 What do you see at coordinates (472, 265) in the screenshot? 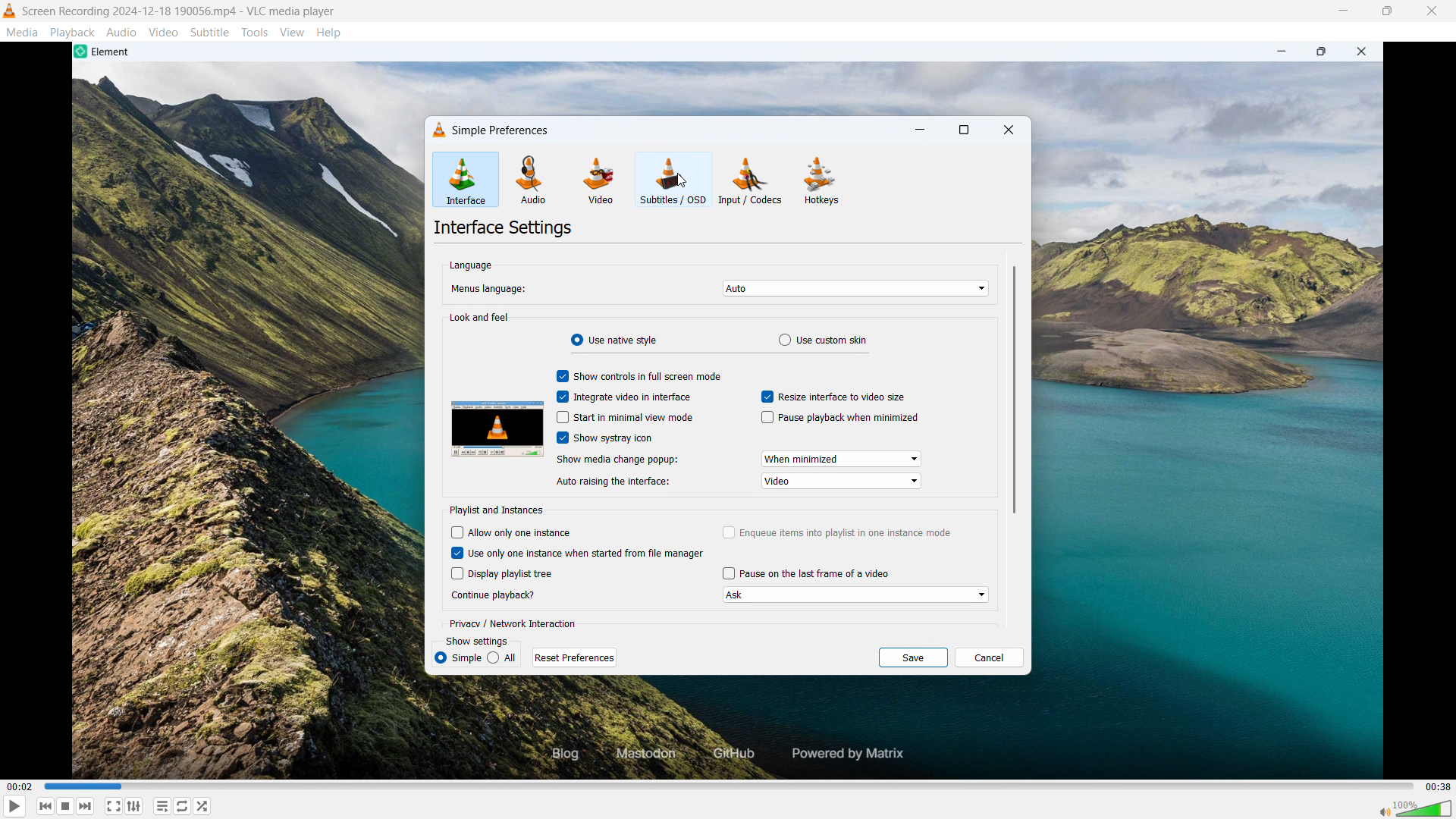
I see `language` at bounding box center [472, 265].